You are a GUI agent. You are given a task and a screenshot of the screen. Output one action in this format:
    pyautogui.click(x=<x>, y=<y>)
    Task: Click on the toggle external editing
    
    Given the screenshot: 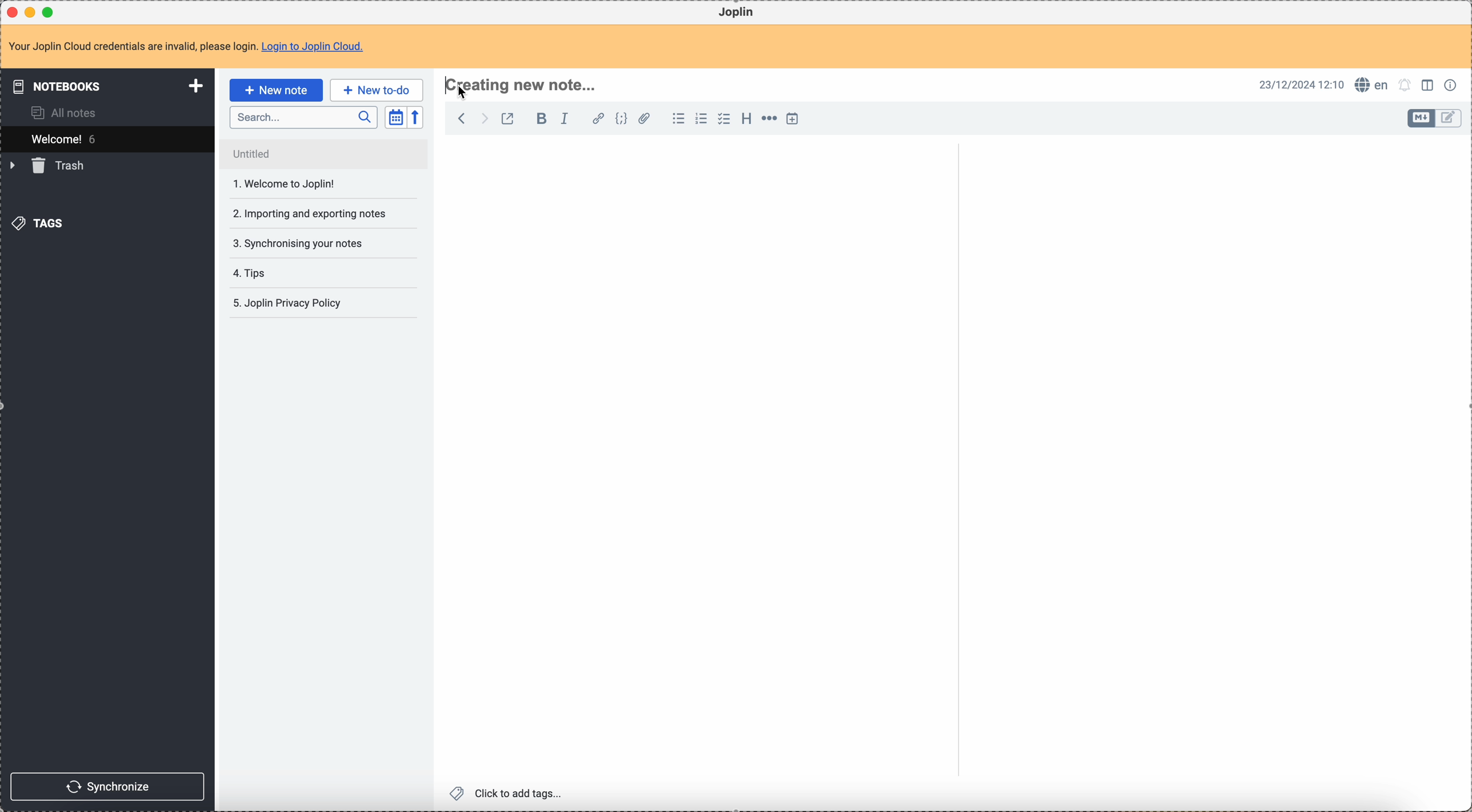 What is the action you would take?
    pyautogui.click(x=508, y=118)
    